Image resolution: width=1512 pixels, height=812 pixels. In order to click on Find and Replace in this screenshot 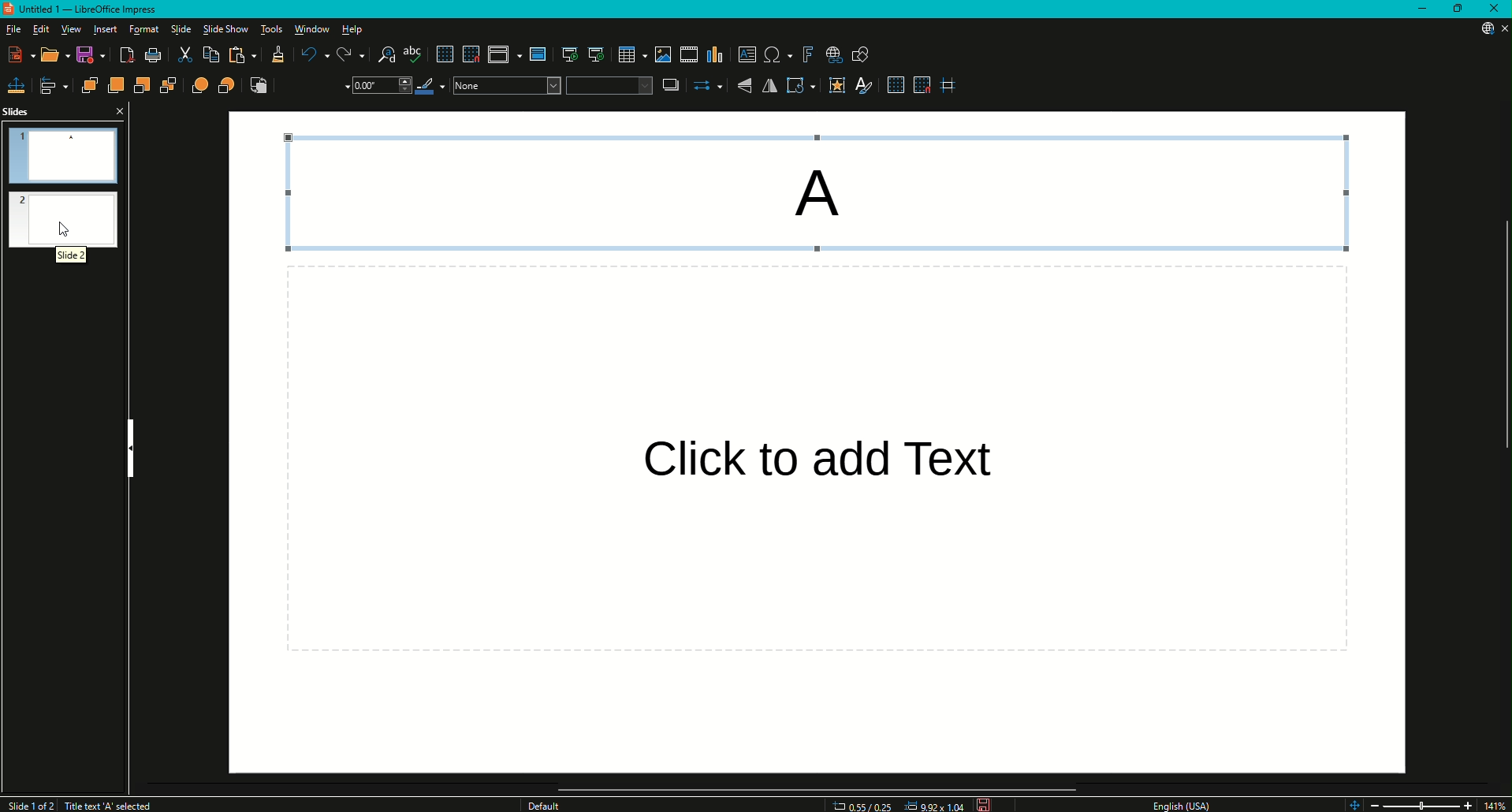, I will do `click(379, 52)`.